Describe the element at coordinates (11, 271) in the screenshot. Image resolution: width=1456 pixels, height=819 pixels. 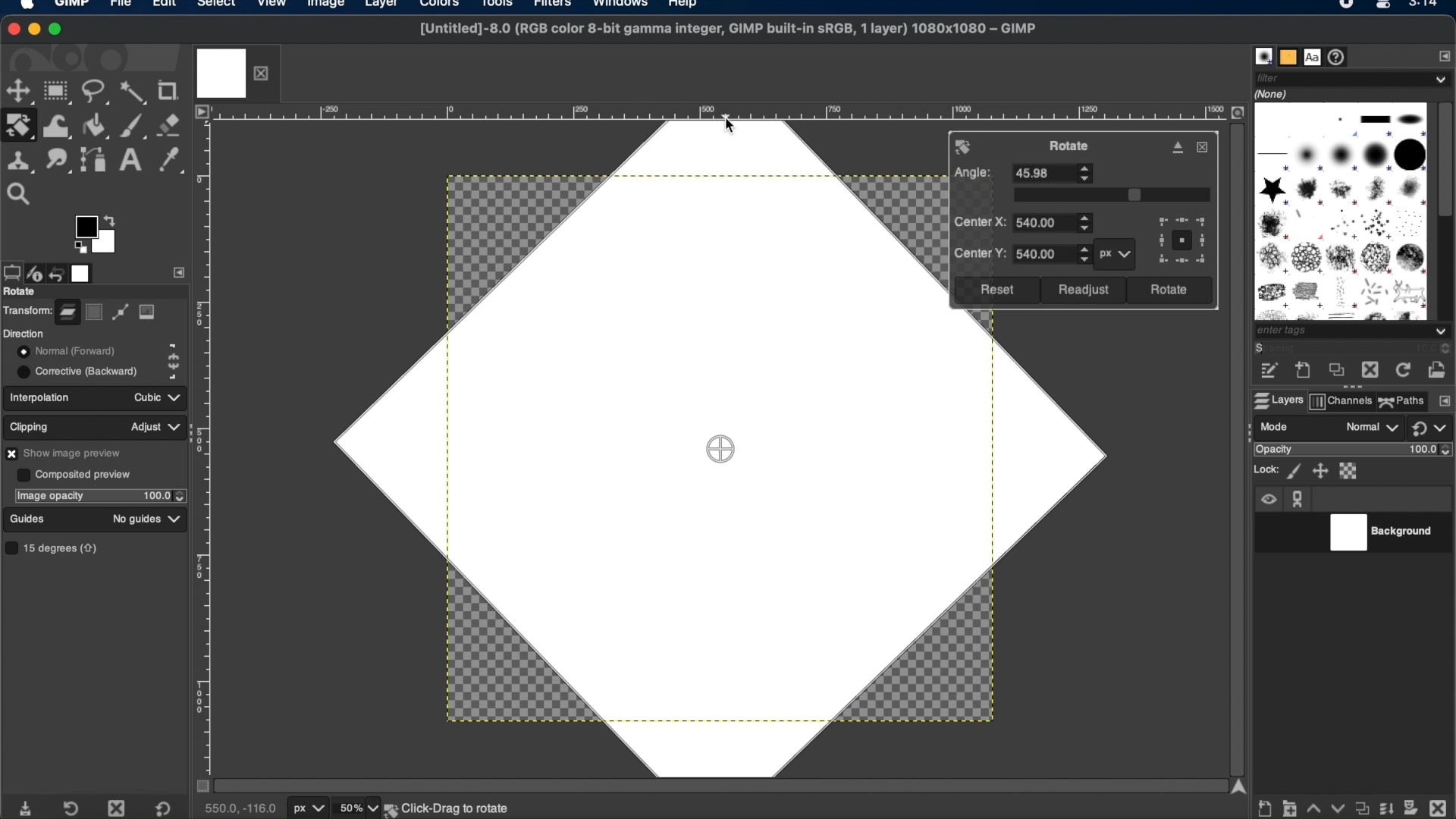
I see `tool options` at that location.